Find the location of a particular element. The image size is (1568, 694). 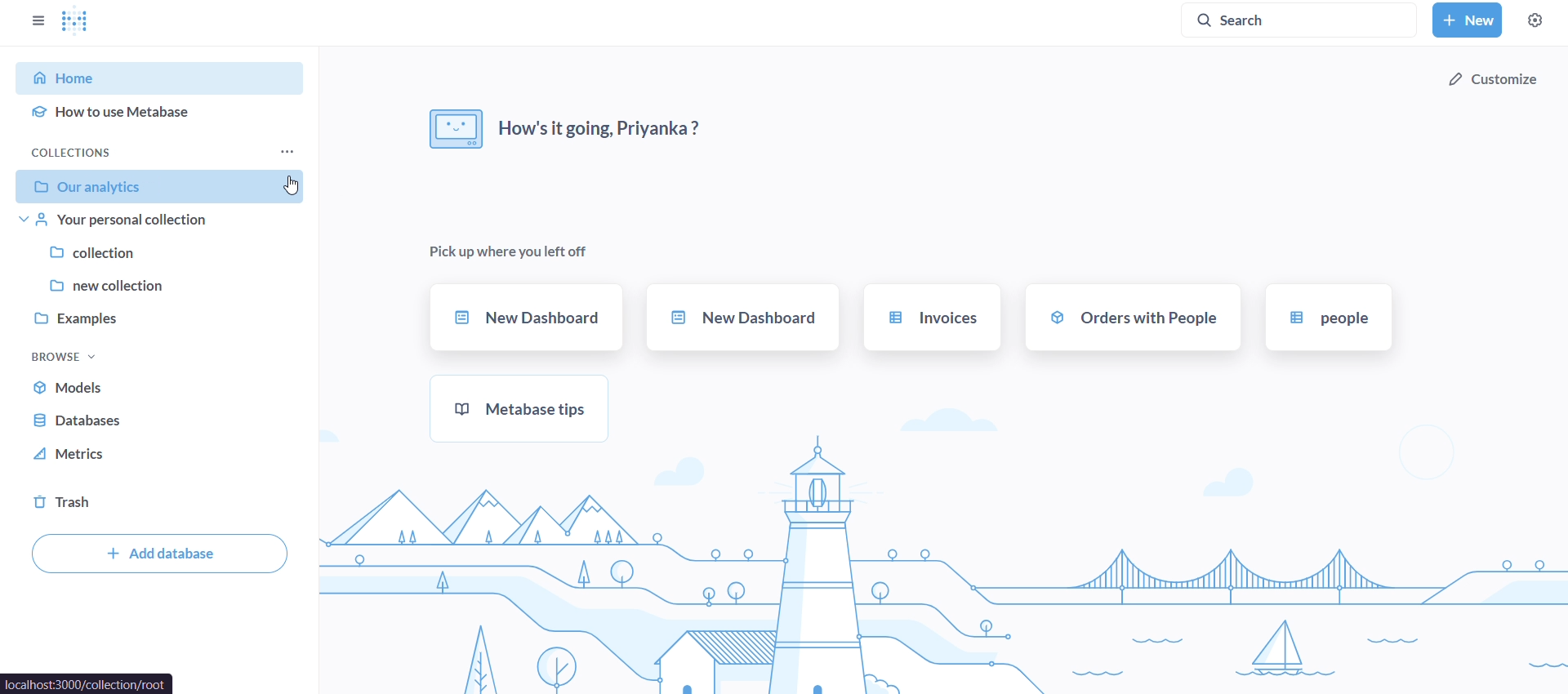

people is located at coordinates (1325, 317).